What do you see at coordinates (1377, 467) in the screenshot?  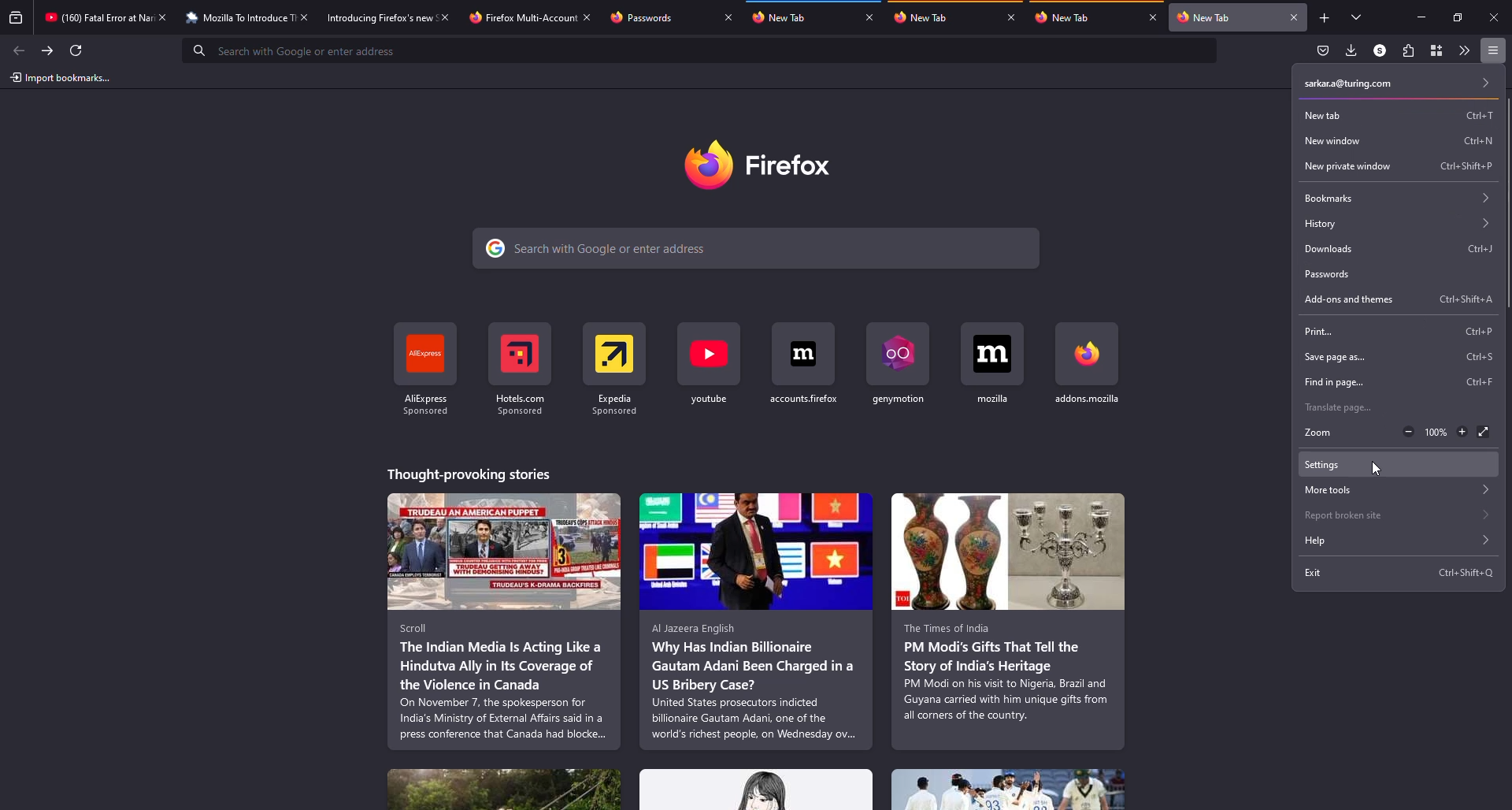 I see `cursor` at bounding box center [1377, 467].